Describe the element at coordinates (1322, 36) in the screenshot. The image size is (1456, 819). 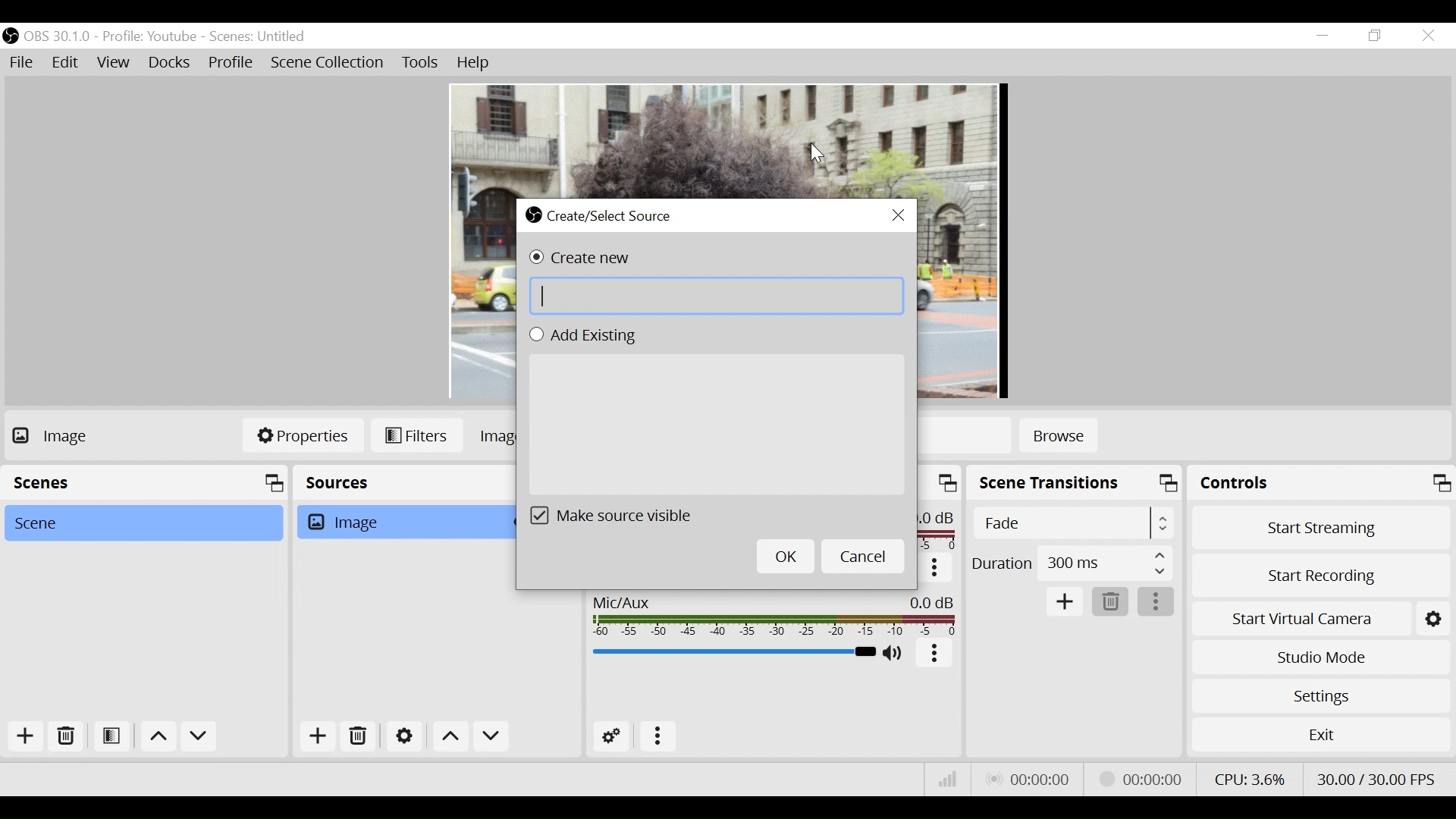
I see `minimize` at that location.